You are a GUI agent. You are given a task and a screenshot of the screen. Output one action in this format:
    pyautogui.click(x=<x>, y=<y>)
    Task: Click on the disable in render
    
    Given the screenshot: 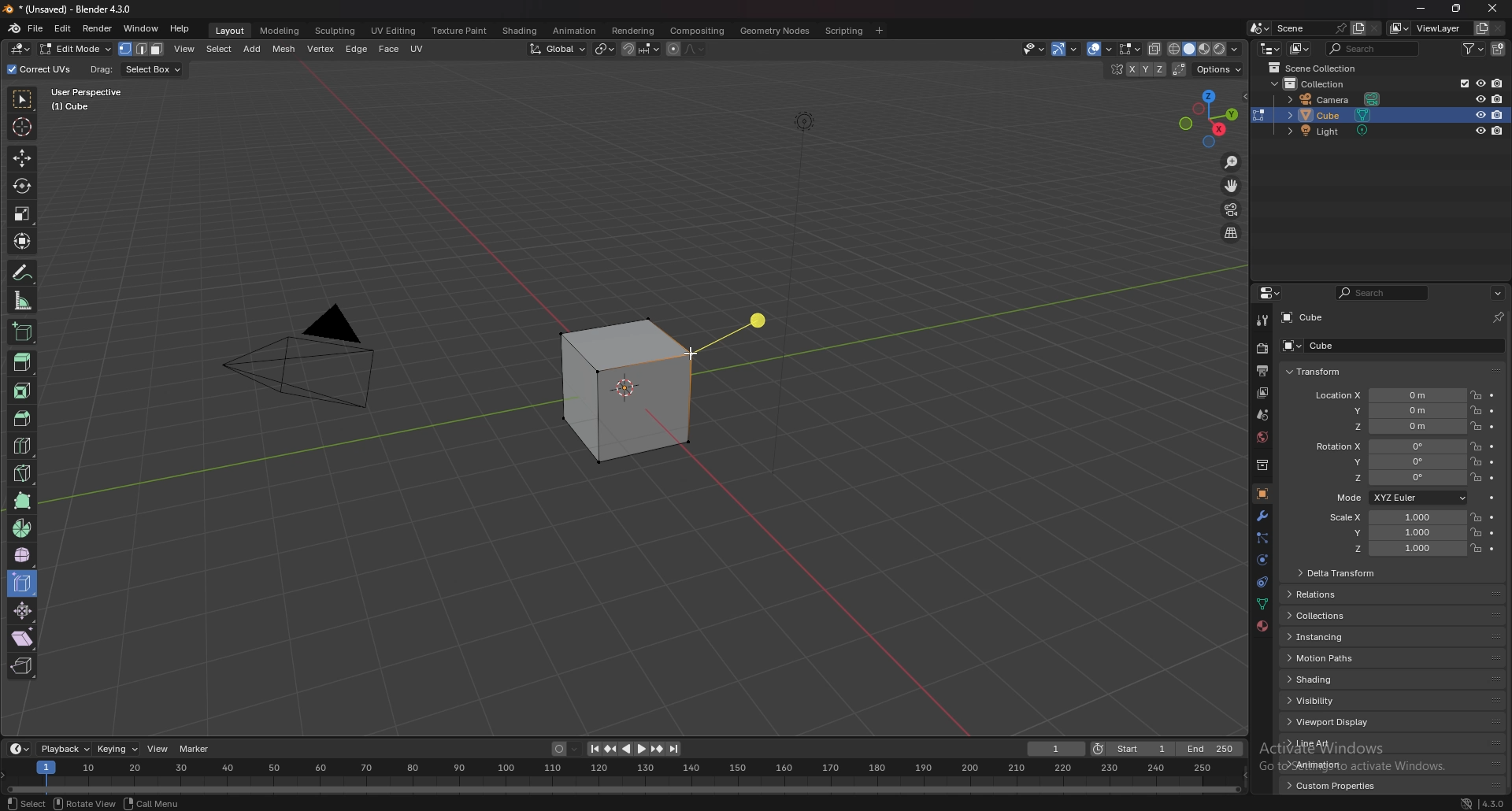 What is the action you would take?
    pyautogui.click(x=1498, y=131)
    